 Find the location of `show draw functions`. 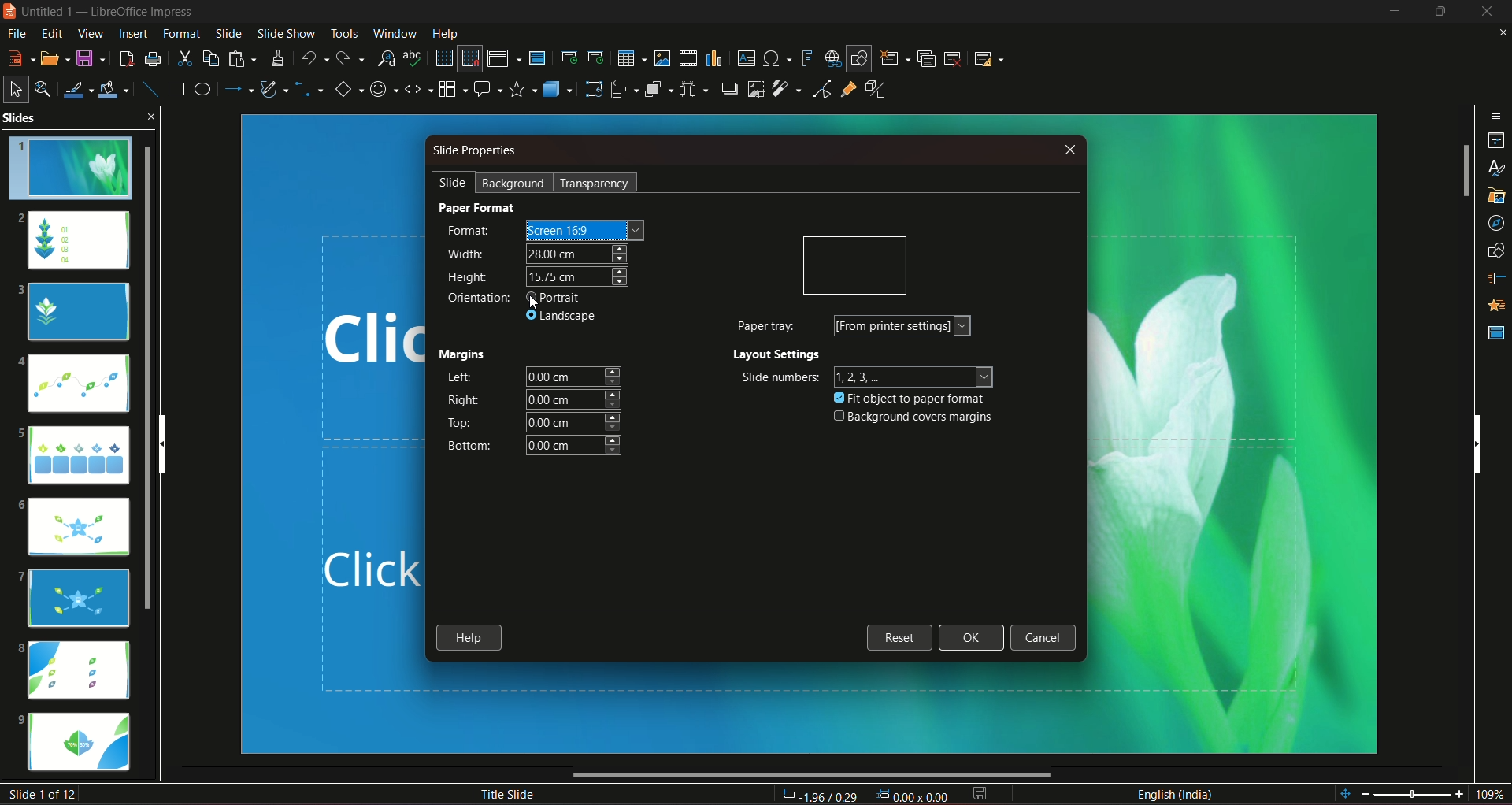

show draw functions is located at coordinates (858, 57).